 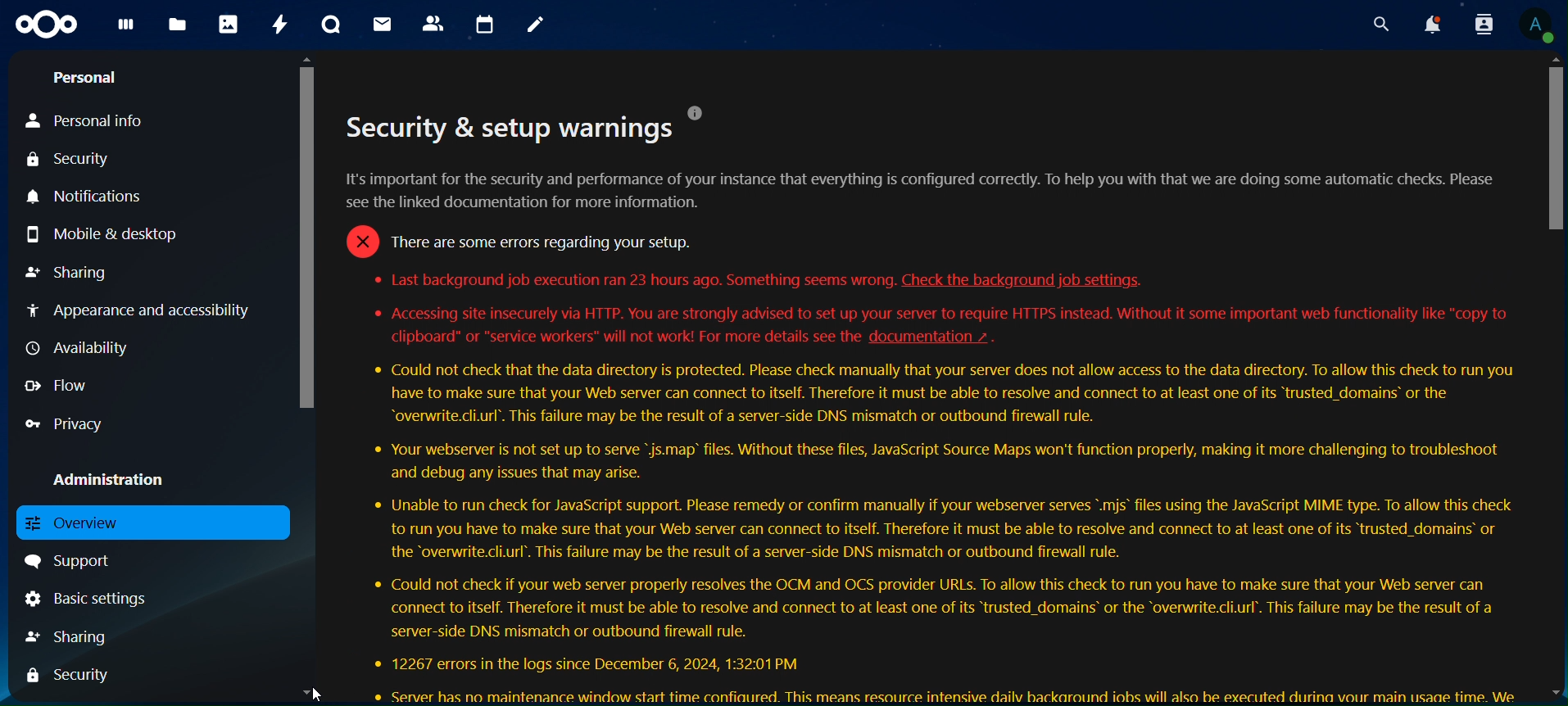 I want to click on contacts, so click(x=433, y=23).